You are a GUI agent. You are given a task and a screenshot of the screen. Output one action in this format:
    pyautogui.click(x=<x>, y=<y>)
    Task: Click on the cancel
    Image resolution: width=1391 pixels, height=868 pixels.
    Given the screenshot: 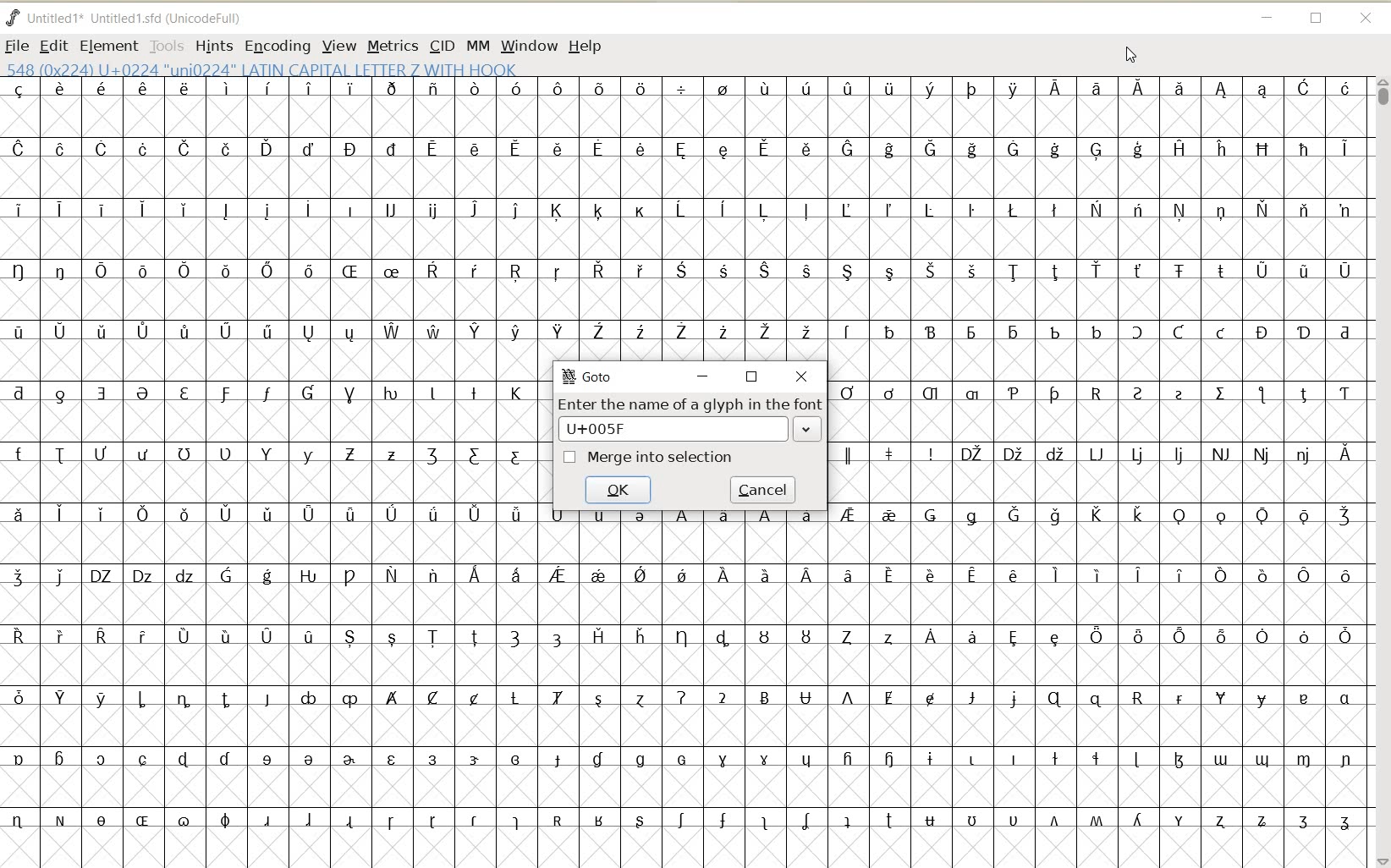 What is the action you would take?
    pyautogui.click(x=764, y=488)
    